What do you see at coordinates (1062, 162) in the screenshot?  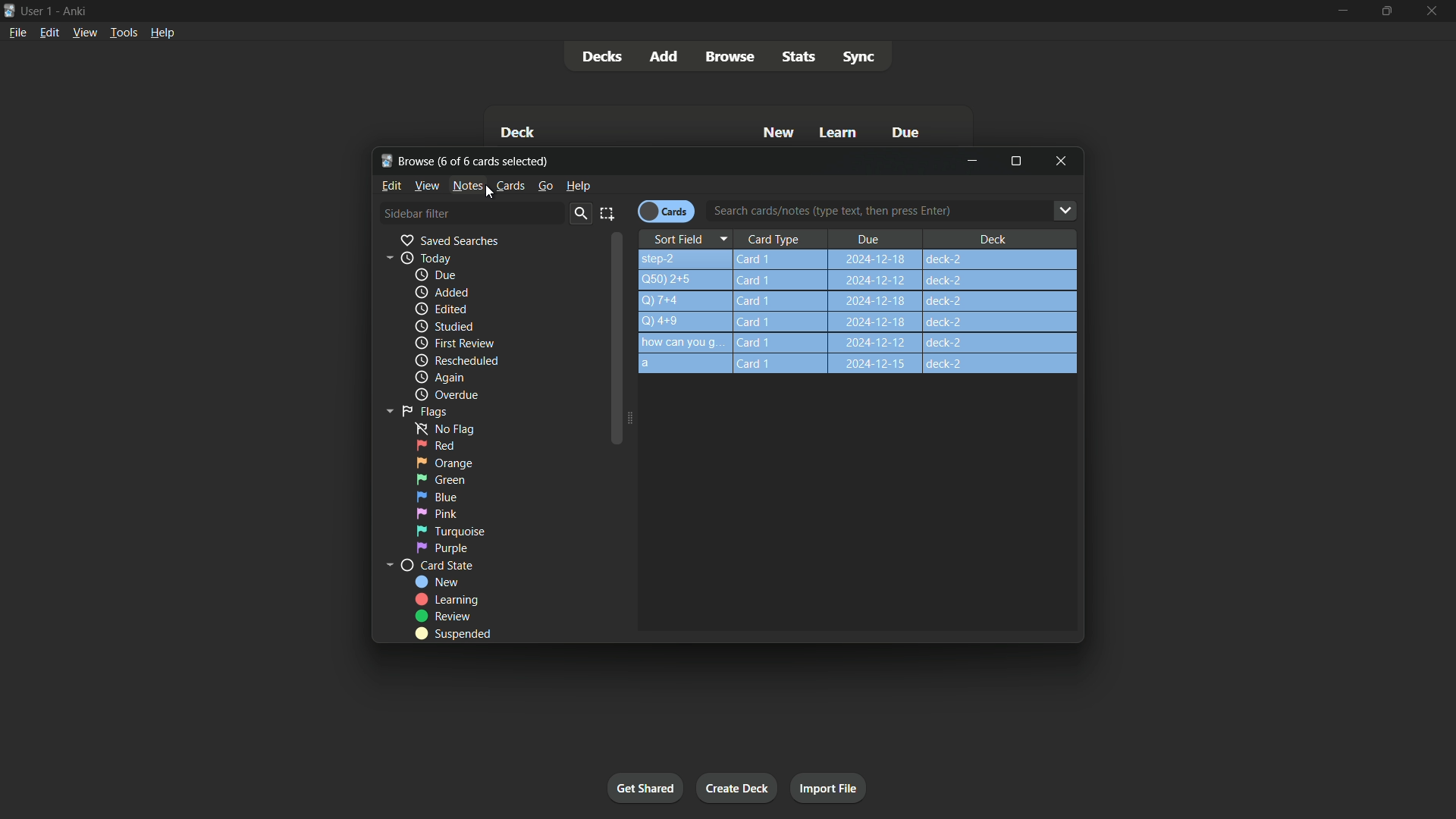 I see `Close browse` at bounding box center [1062, 162].